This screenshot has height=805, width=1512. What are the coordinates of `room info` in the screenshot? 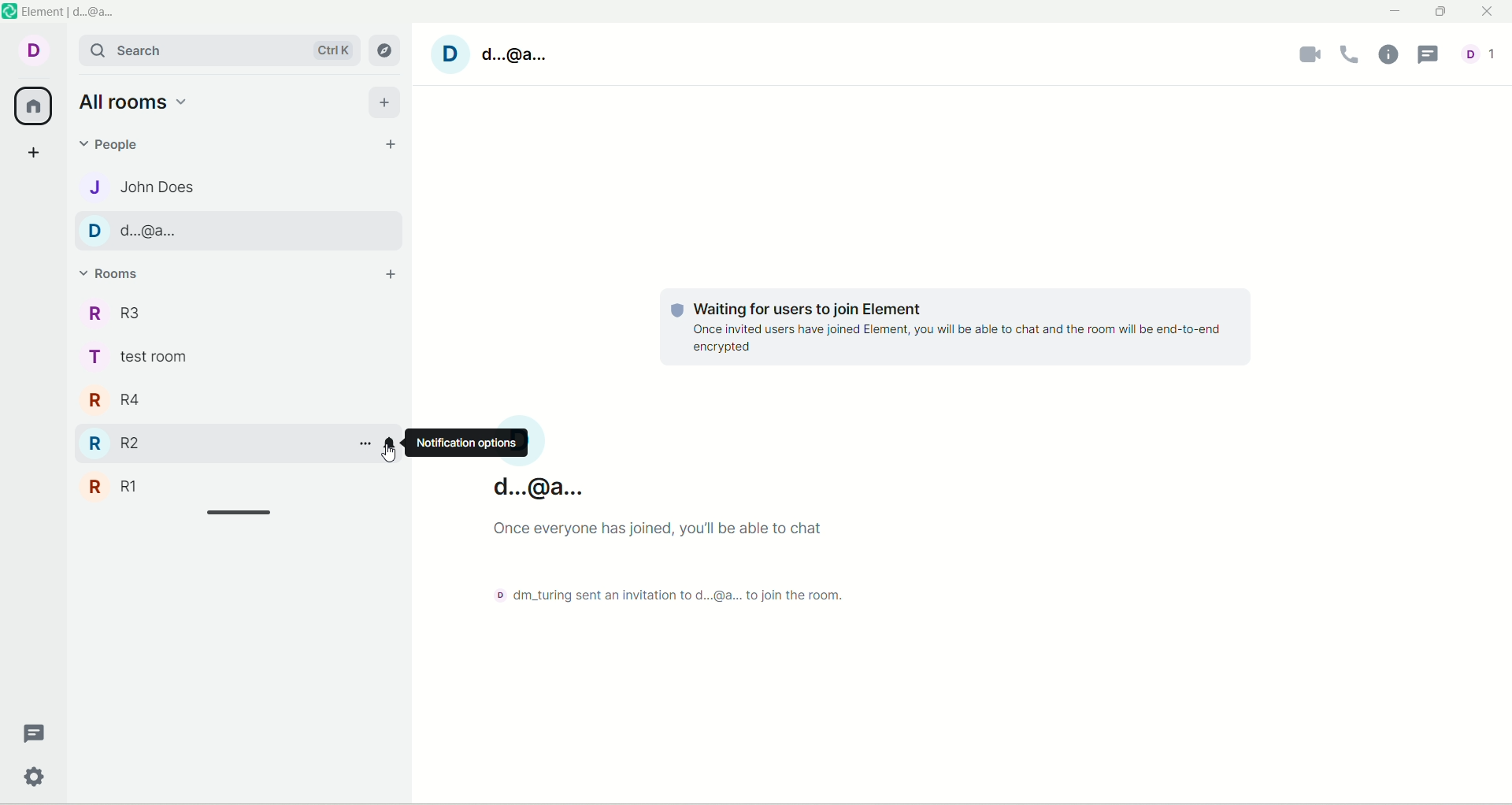 It's located at (1387, 57).